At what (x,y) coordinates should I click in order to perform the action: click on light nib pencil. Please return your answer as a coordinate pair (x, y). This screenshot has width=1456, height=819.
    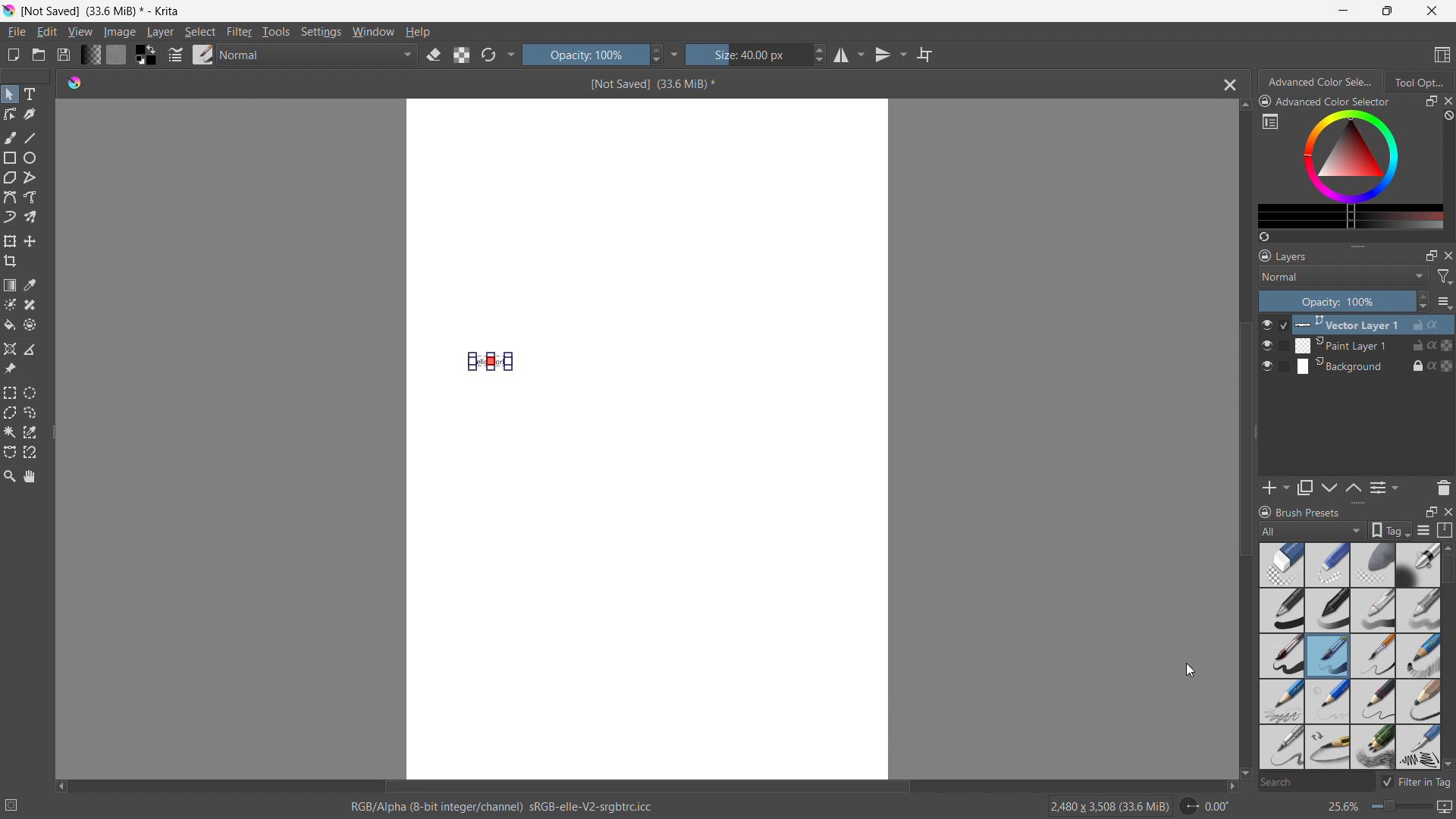
    Looking at the image, I should click on (1328, 701).